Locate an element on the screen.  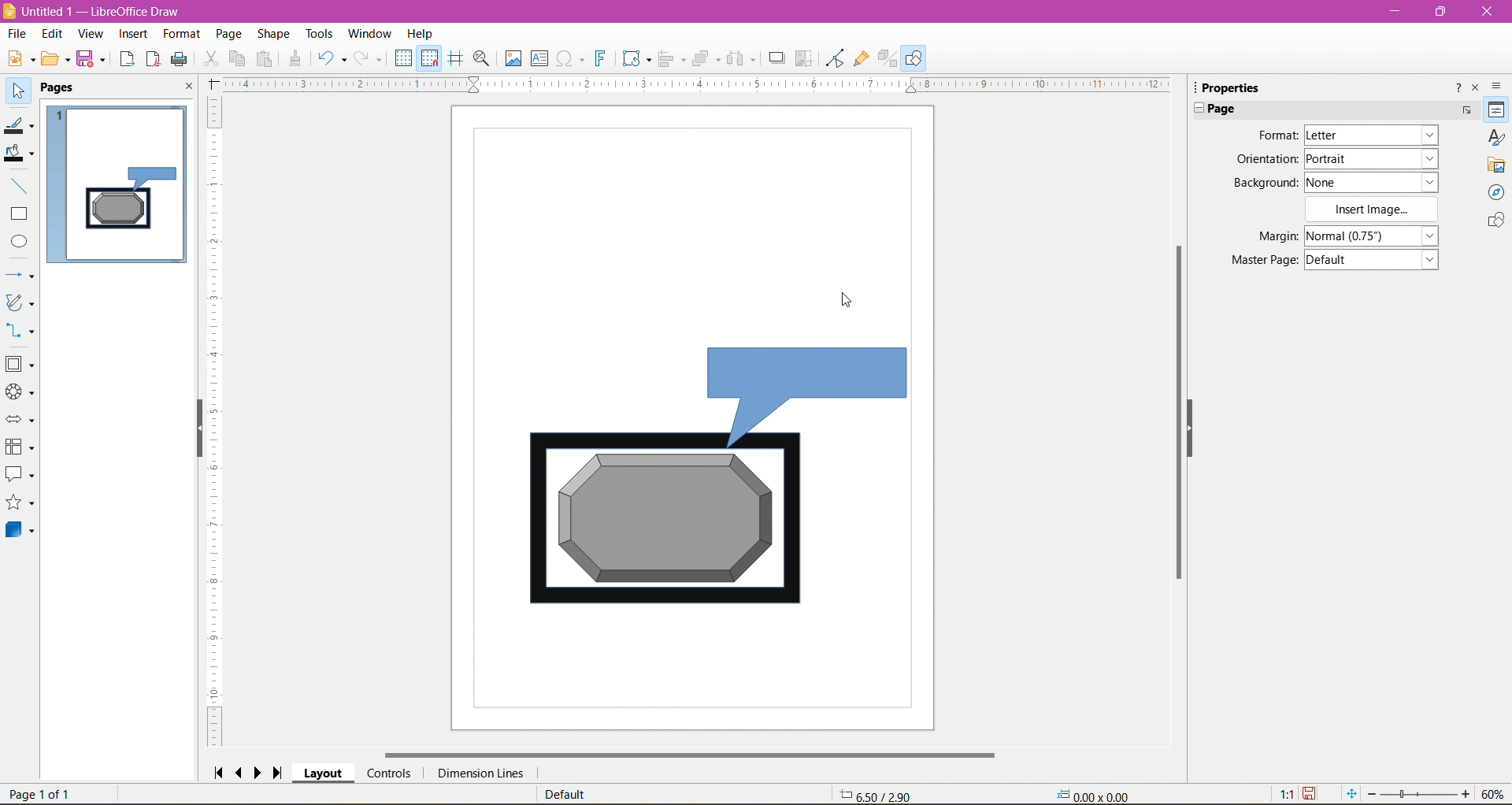
Insert Line is located at coordinates (20, 187).